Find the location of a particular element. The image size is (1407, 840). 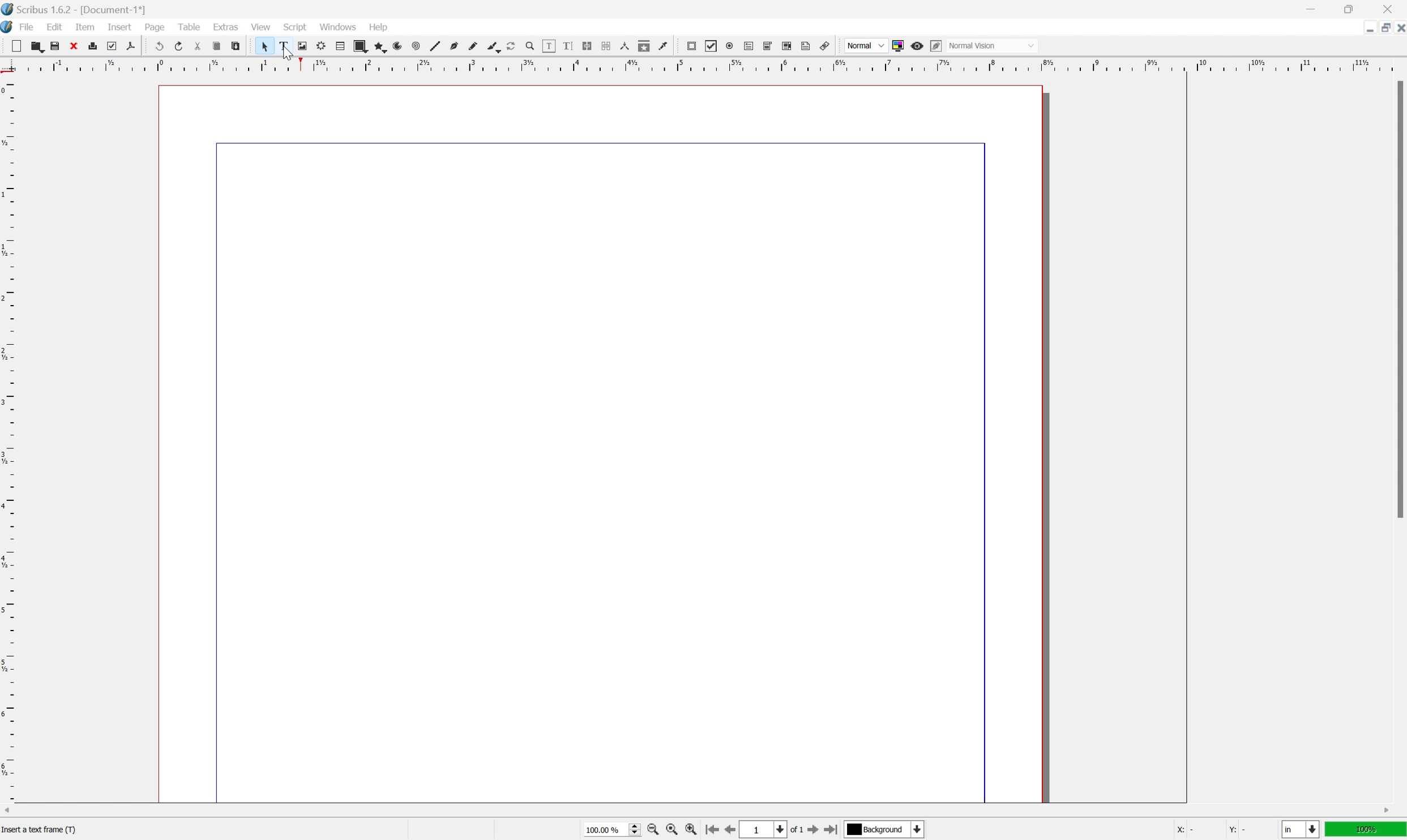

extras is located at coordinates (227, 26).